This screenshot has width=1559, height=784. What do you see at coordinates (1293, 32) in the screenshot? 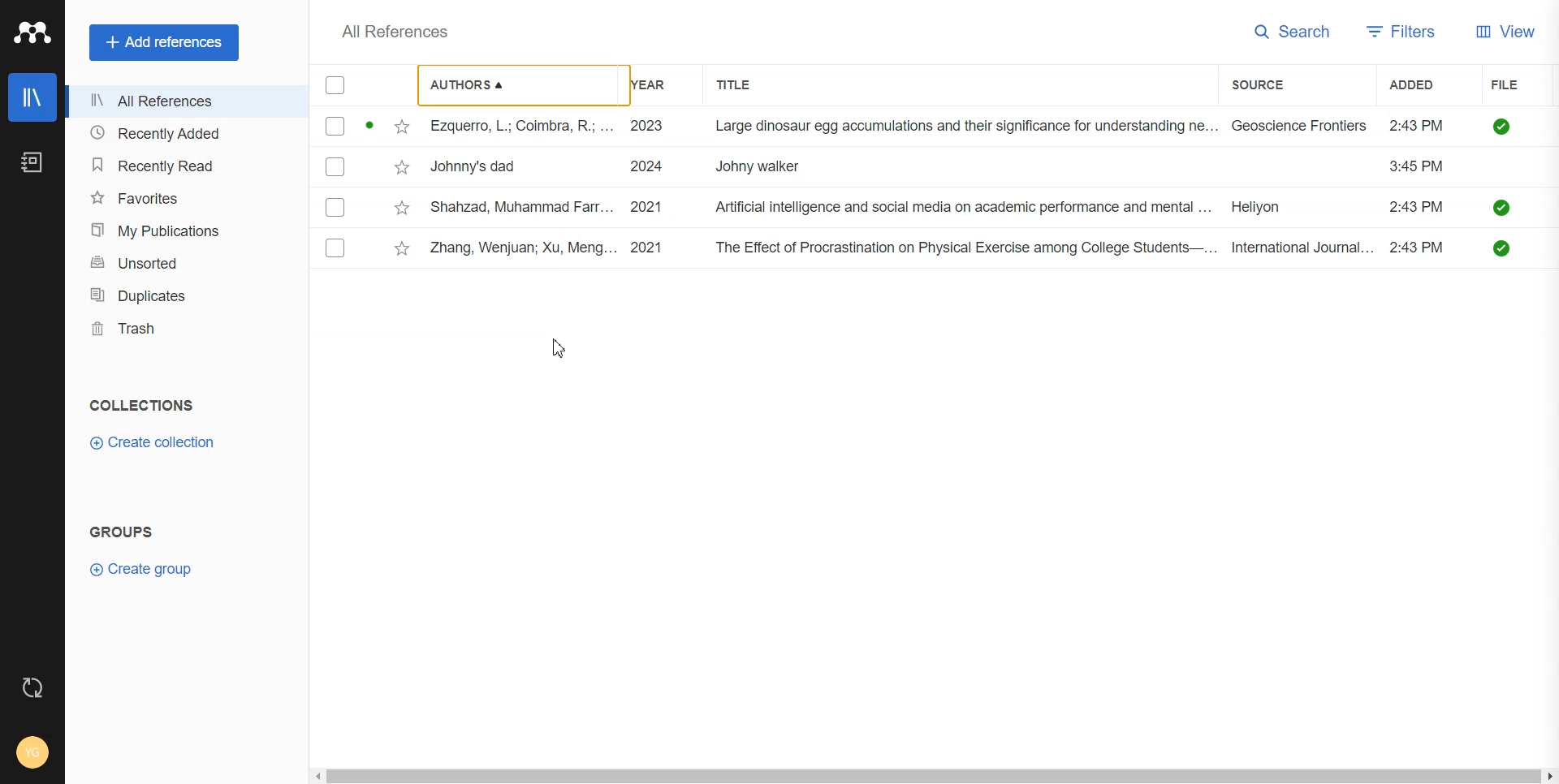
I see `Search` at bounding box center [1293, 32].